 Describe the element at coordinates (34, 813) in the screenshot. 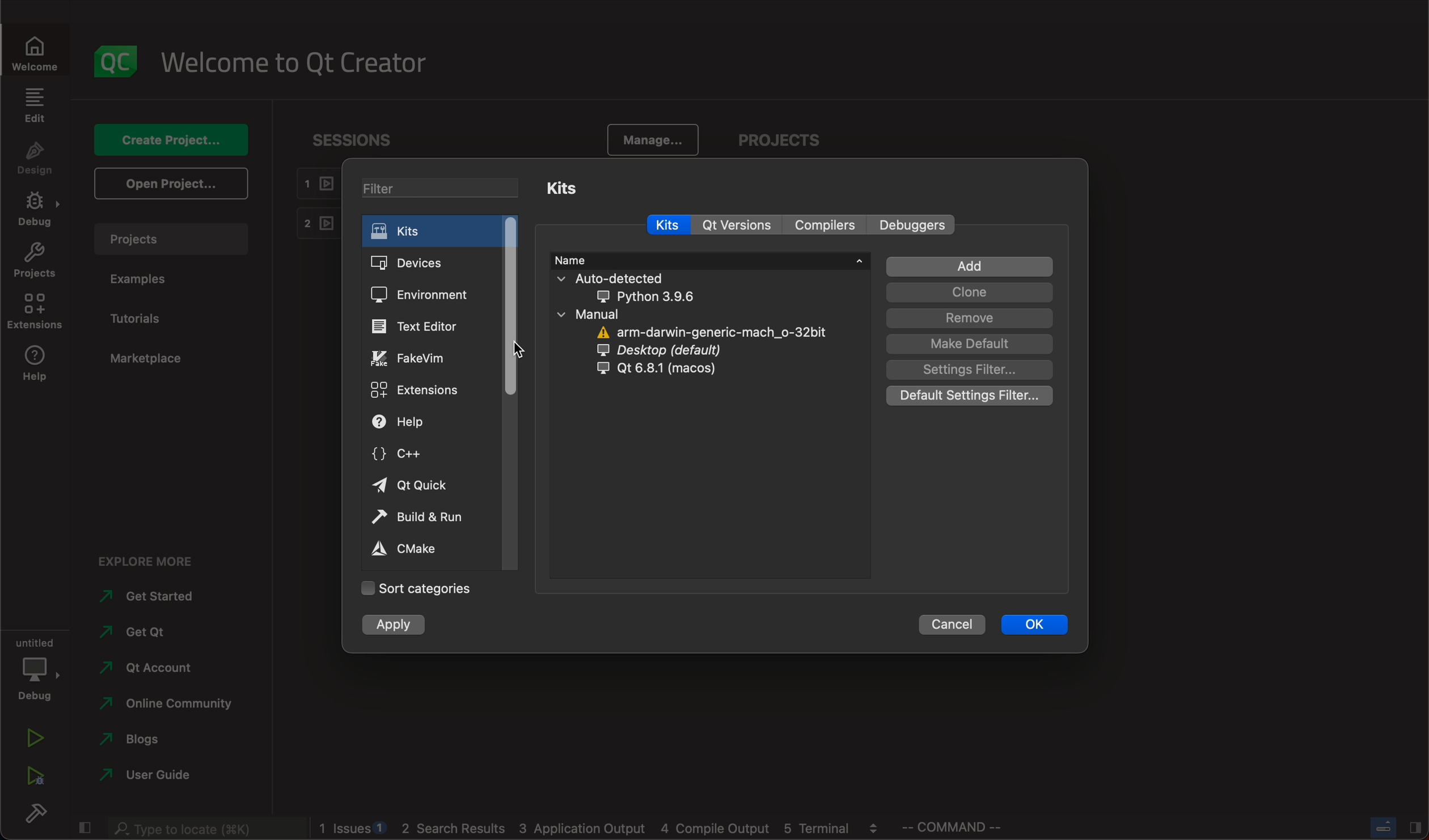

I see `build` at that location.